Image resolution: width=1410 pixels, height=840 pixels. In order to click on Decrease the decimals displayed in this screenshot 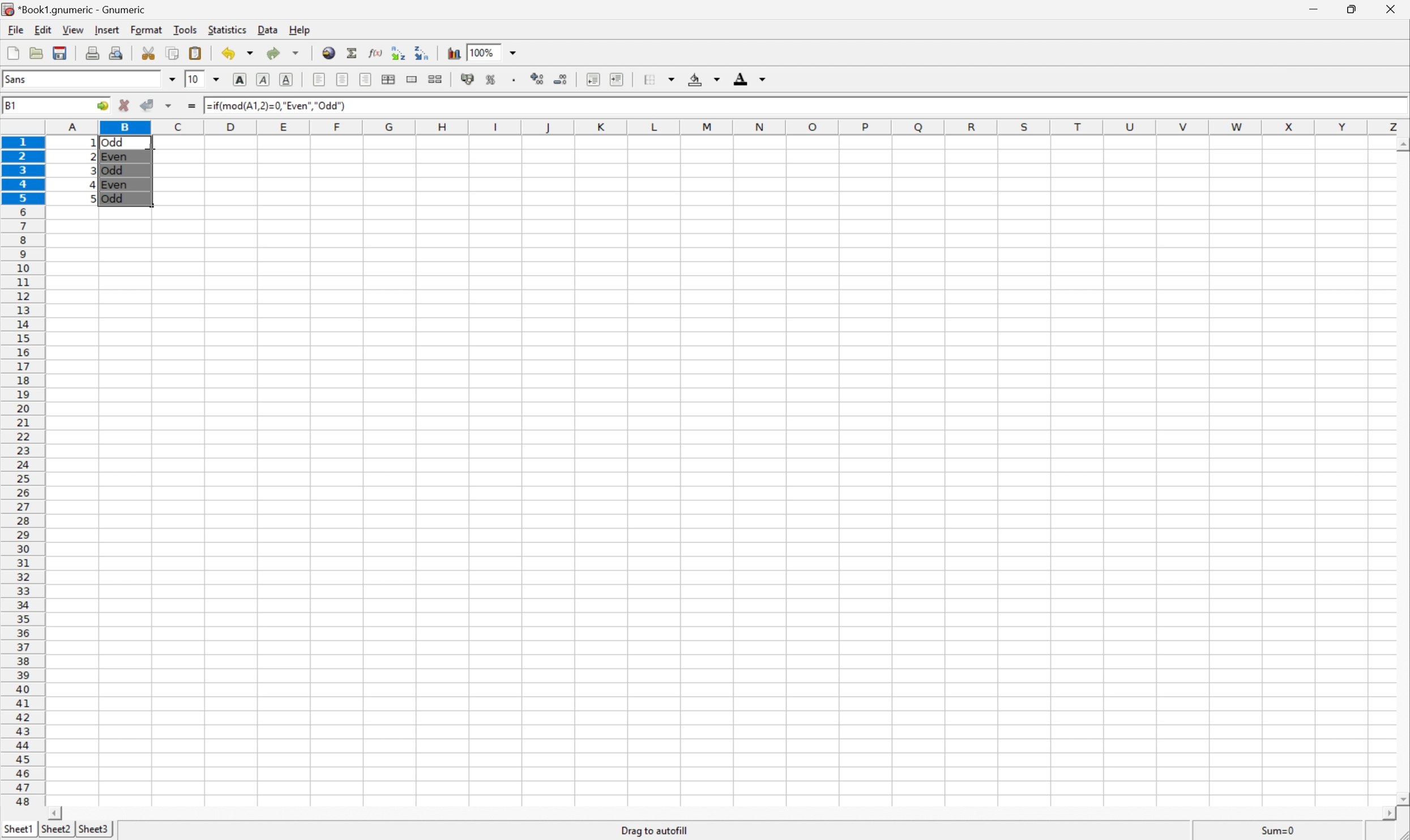, I will do `click(562, 78)`.